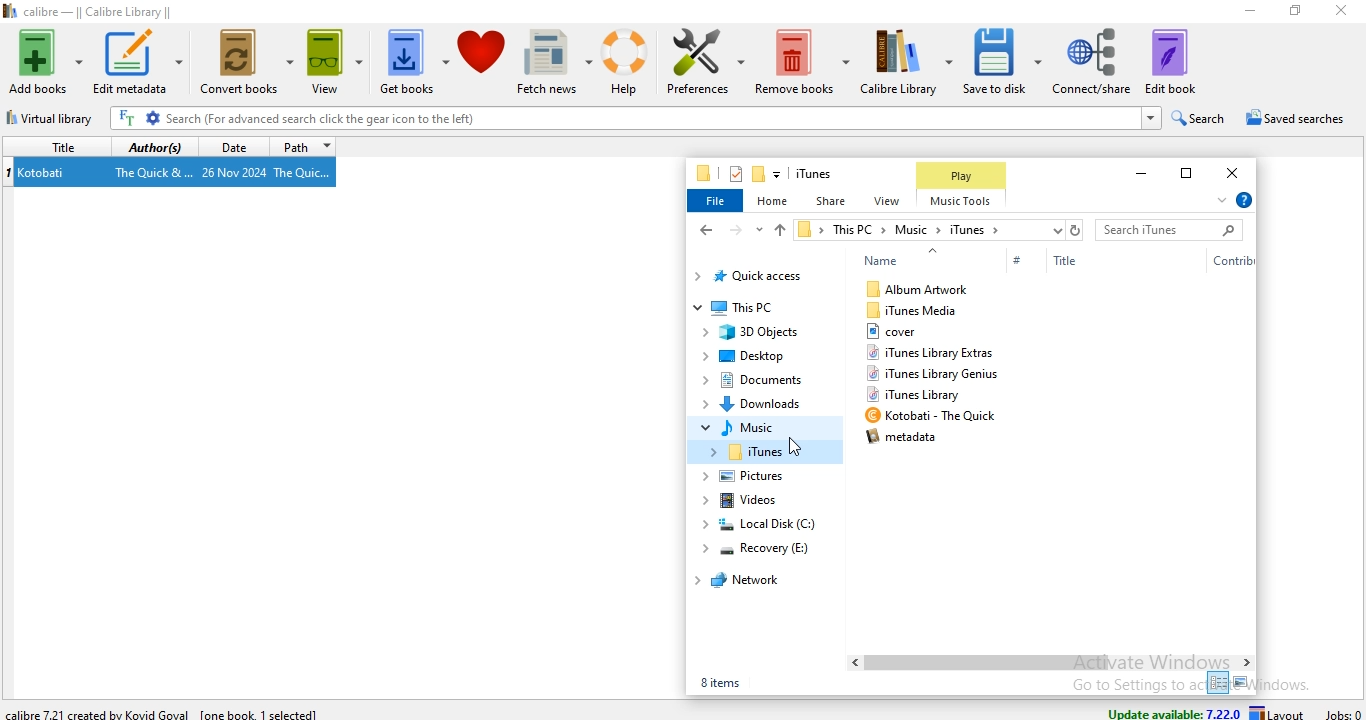 This screenshot has width=1366, height=720. I want to click on itunes library genius, so click(932, 353).